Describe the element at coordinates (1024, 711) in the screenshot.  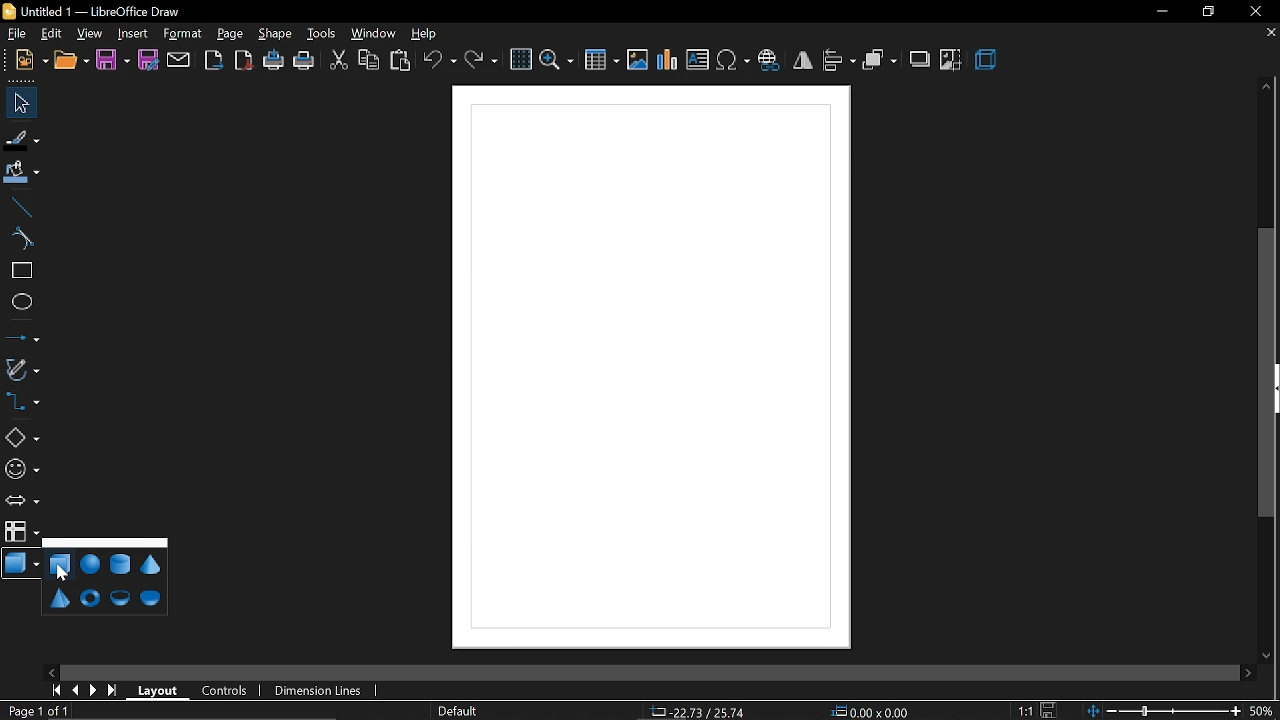
I see `scaling factor` at that location.